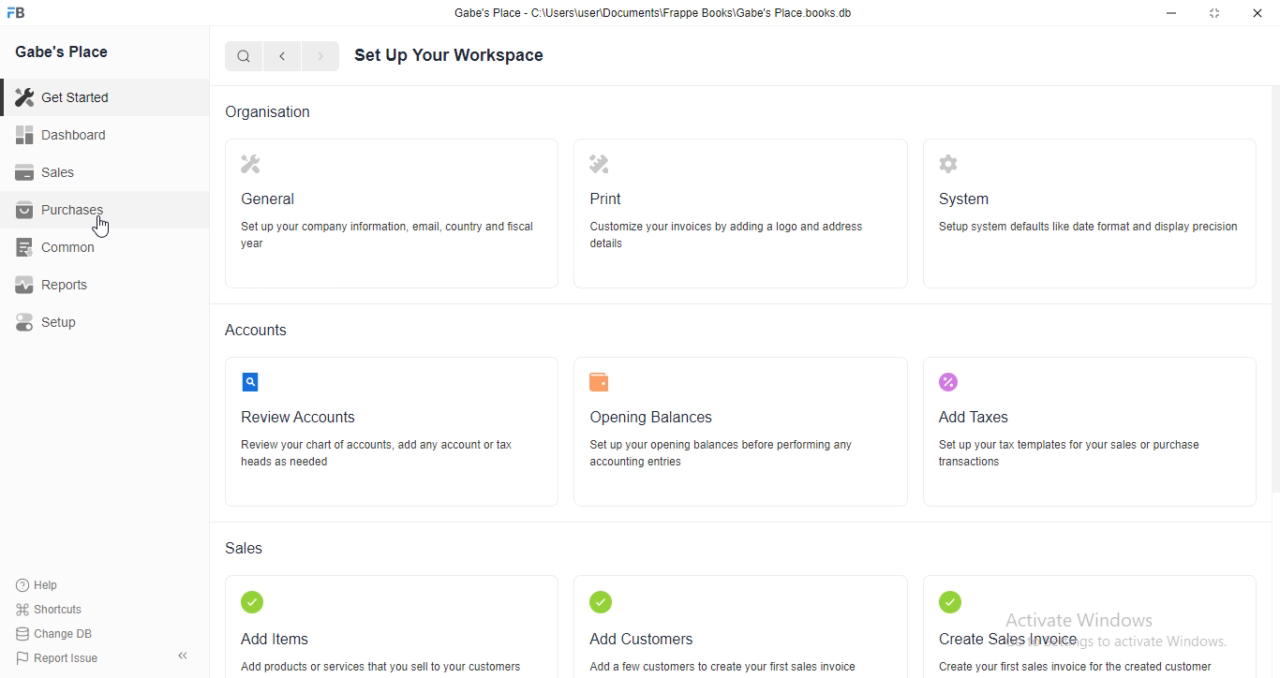  Describe the element at coordinates (602, 384) in the screenshot. I see `icon` at that location.